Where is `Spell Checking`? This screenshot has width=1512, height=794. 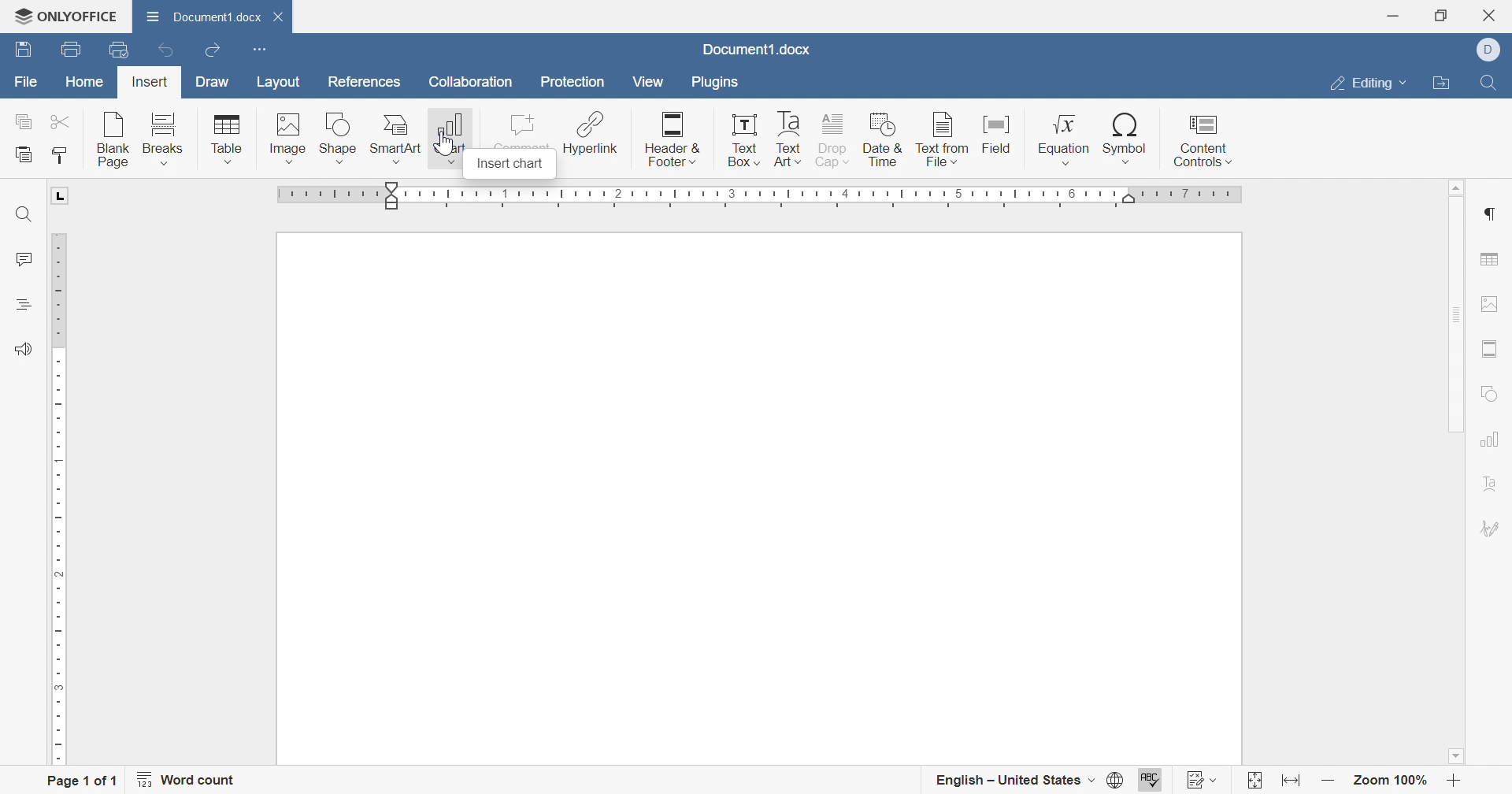 Spell Checking is located at coordinates (21, 305).